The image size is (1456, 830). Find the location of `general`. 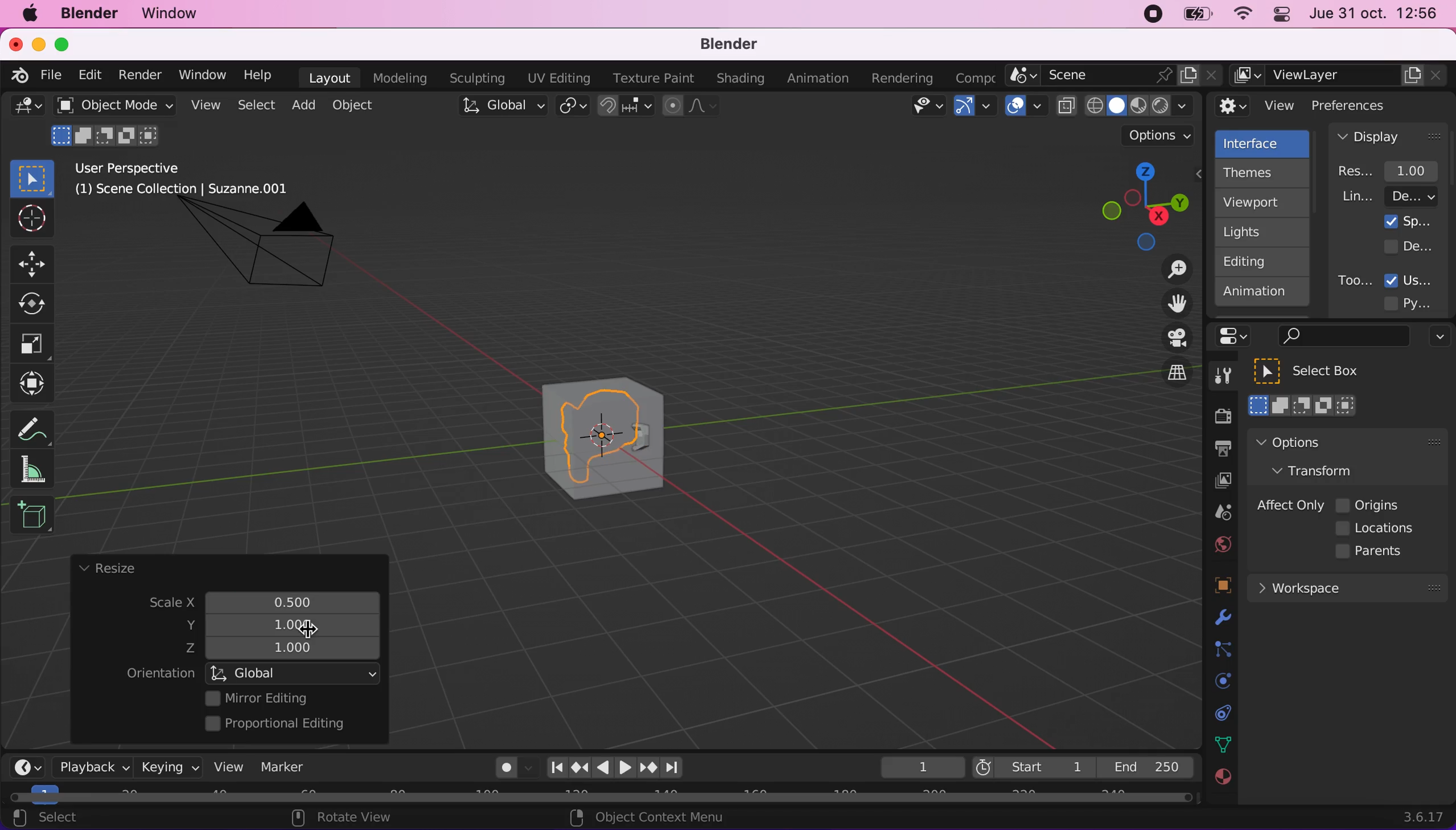

general is located at coordinates (27, 109).